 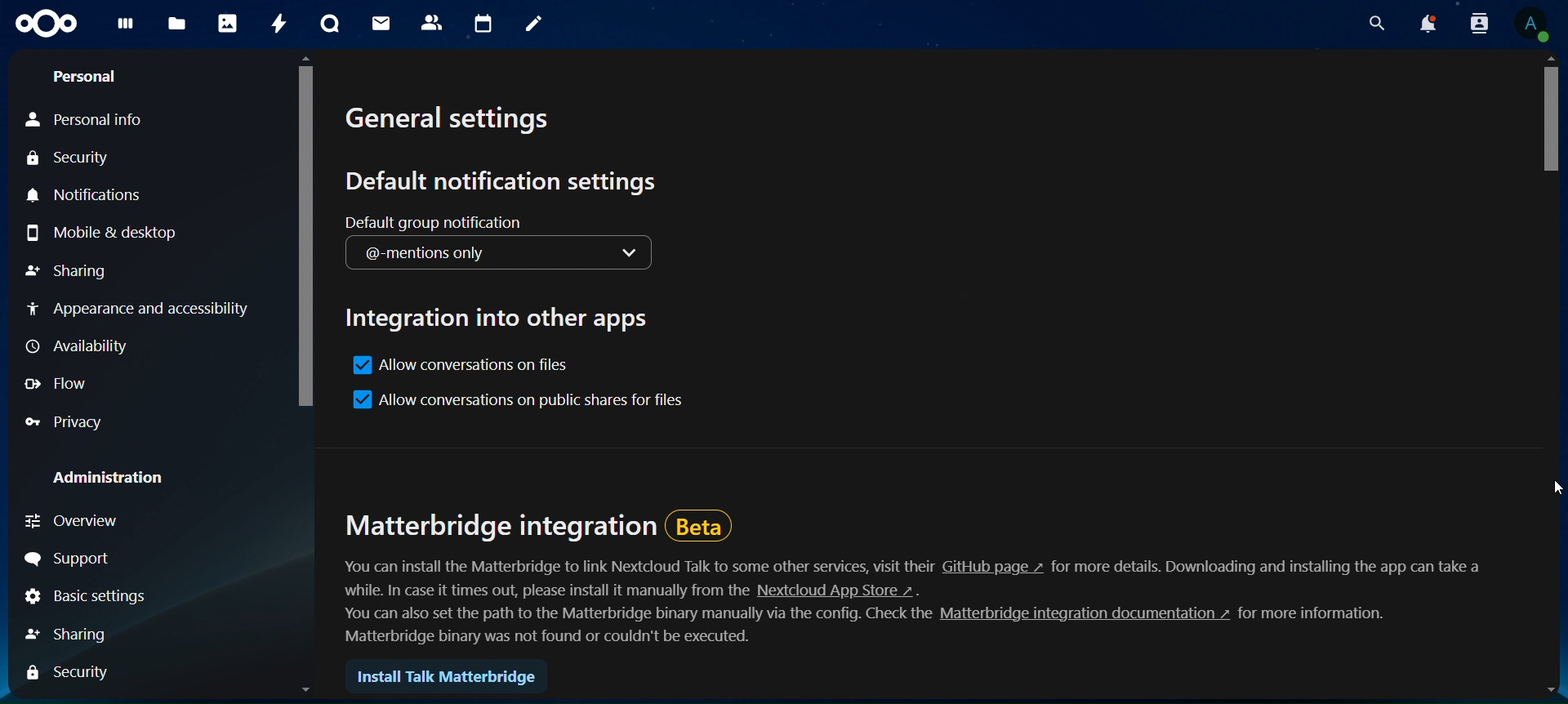 What do you see at coordinates (77, 520) in the screenshot?
I see `overview` at bounding box center [77, 520].